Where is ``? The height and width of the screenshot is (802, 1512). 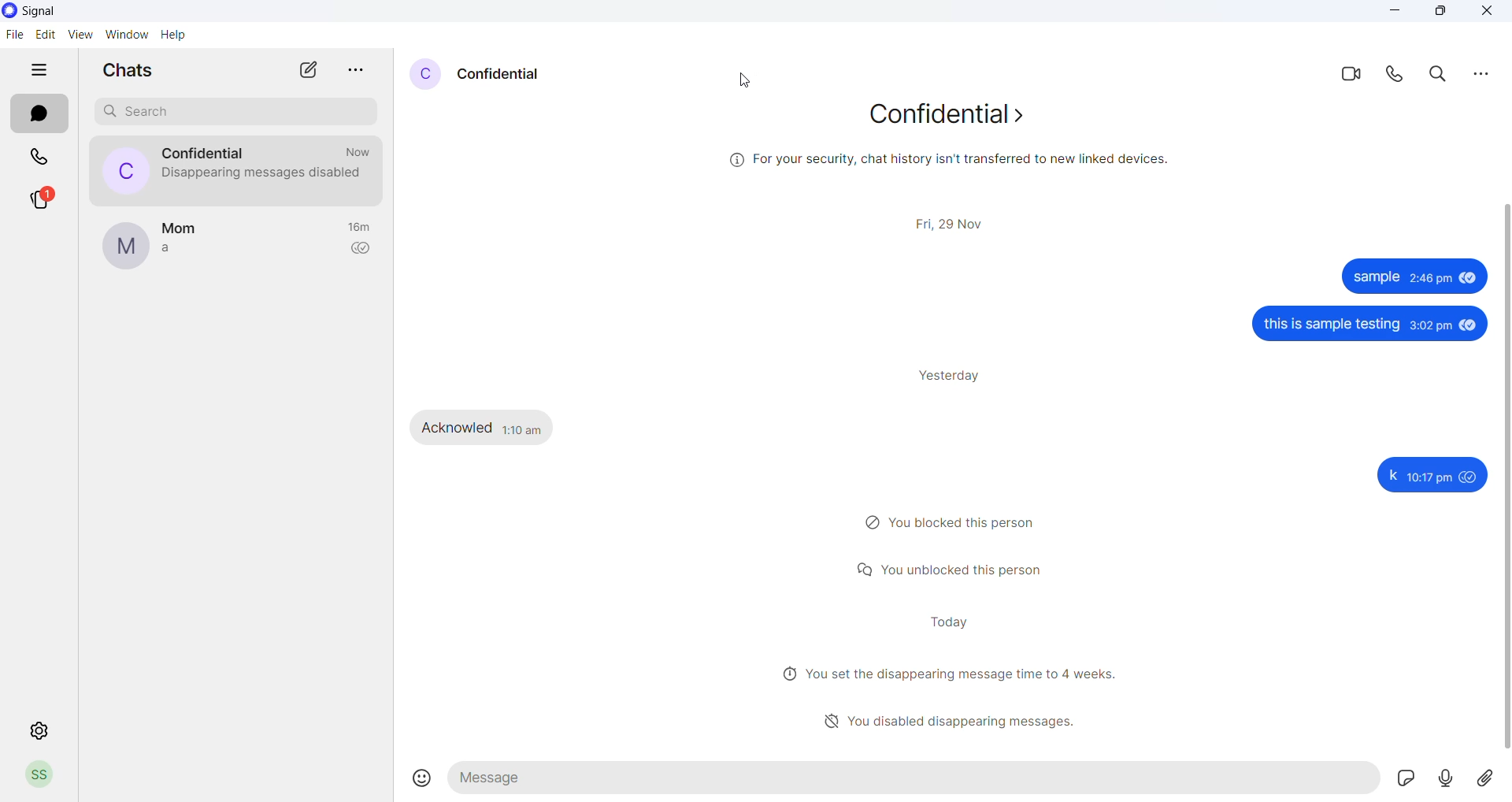  is located at coordinates (1404, 778).